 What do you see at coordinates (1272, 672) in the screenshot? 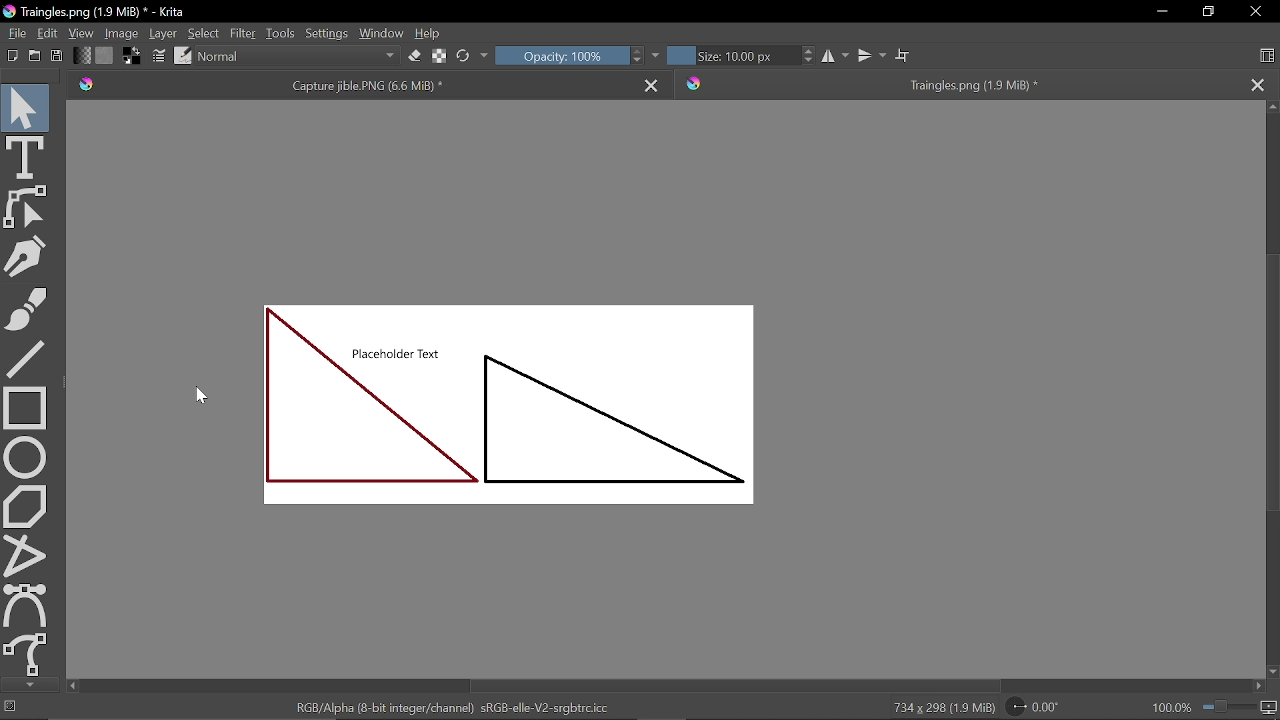
I see `Move down` at bounding box center [1272, 672].